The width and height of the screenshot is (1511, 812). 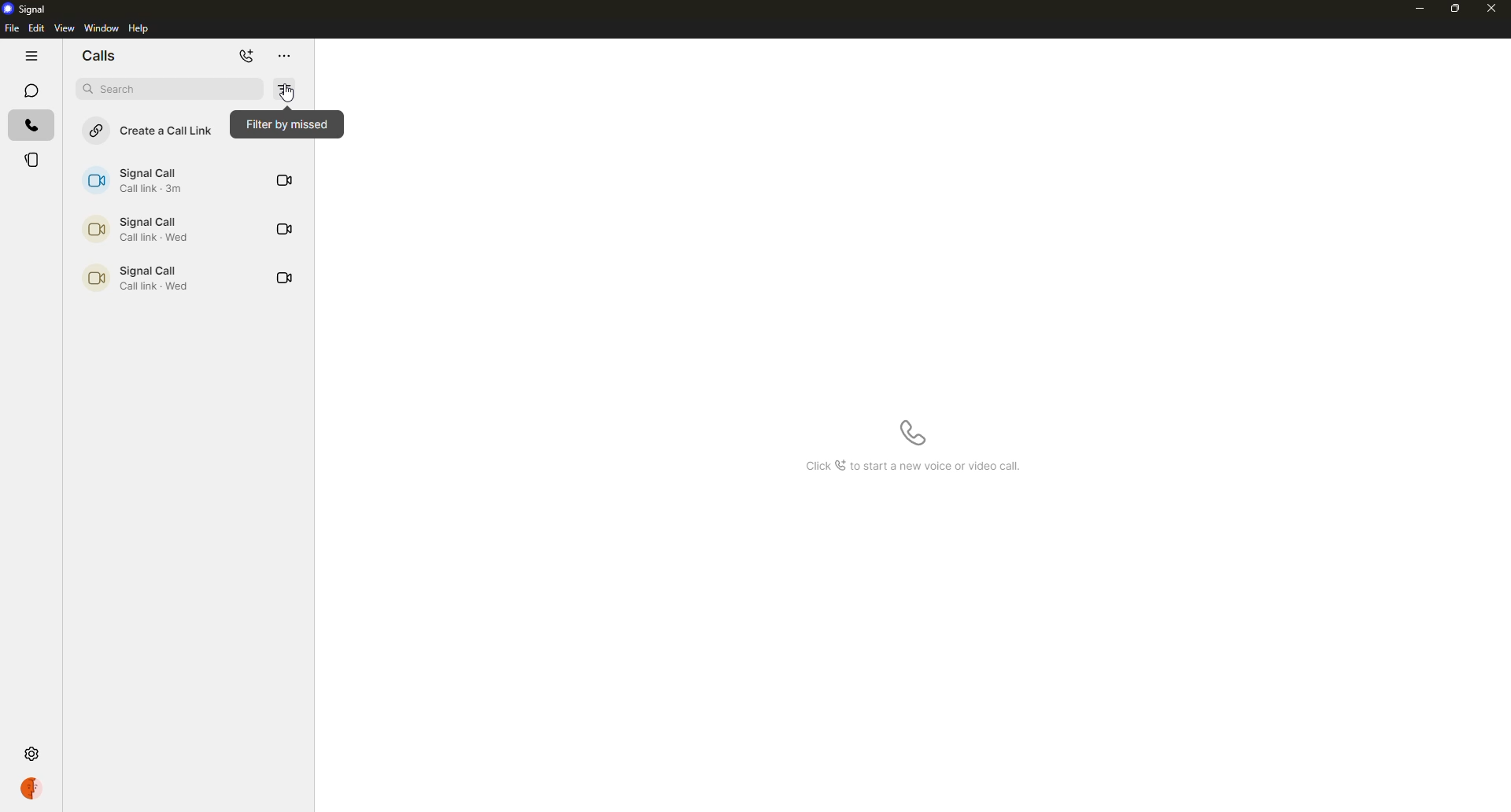 I want to click on hide tabs, so click(x=31, y=57).